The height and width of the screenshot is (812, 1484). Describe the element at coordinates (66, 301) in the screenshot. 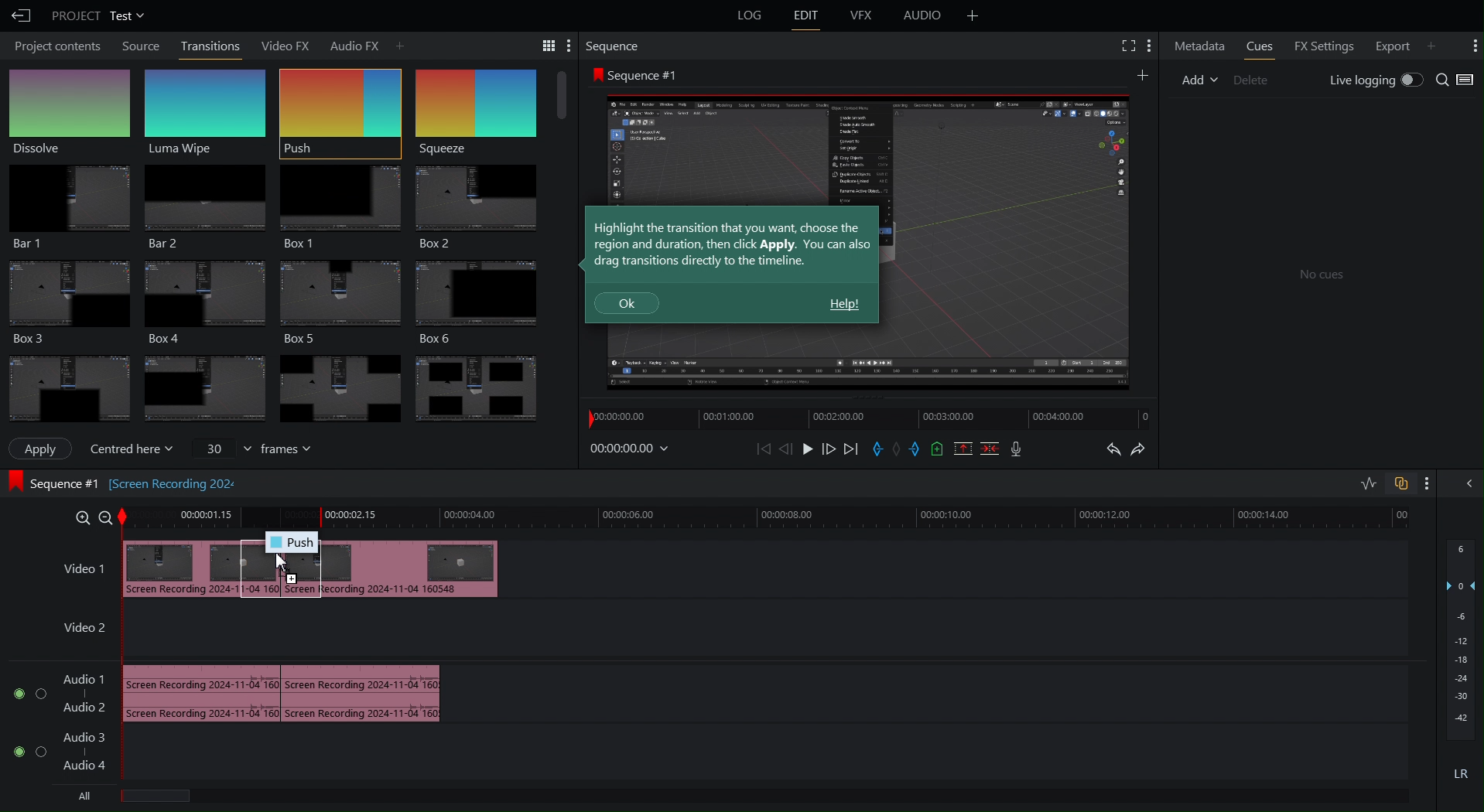

I see `Box 3` at that location.